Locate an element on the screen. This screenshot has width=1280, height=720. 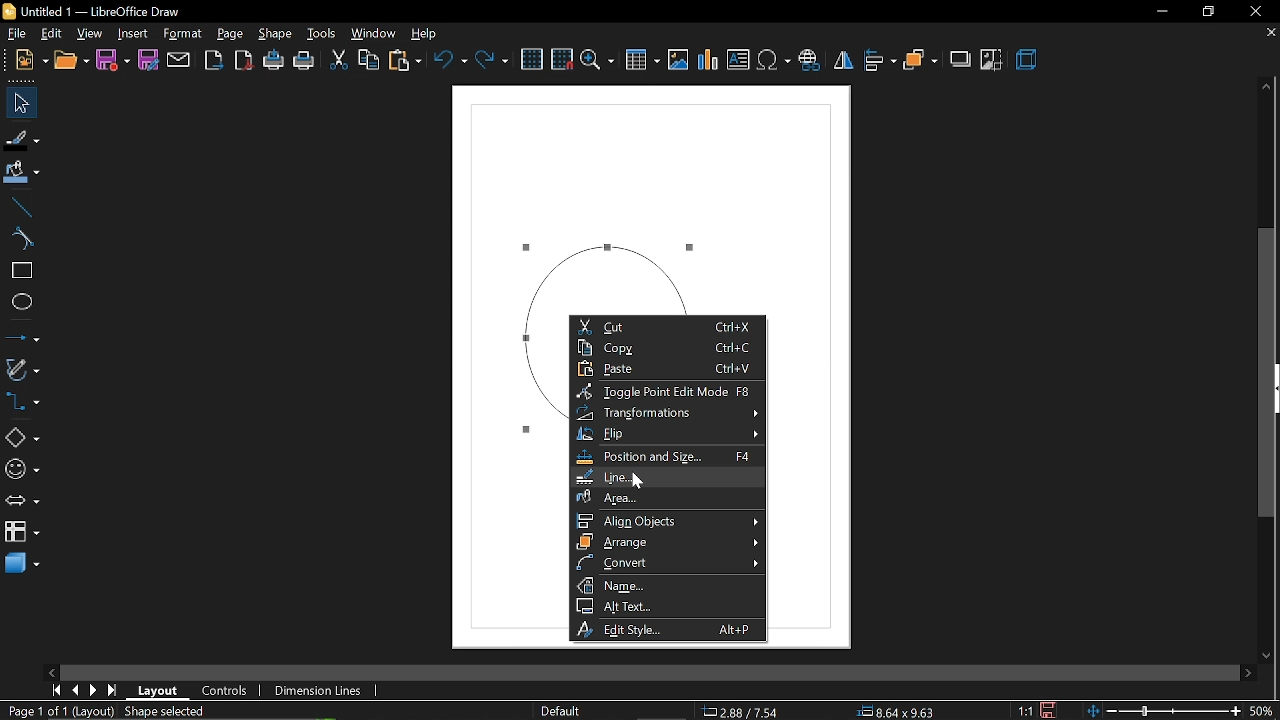
arrows is located at coordinates (22, 501).